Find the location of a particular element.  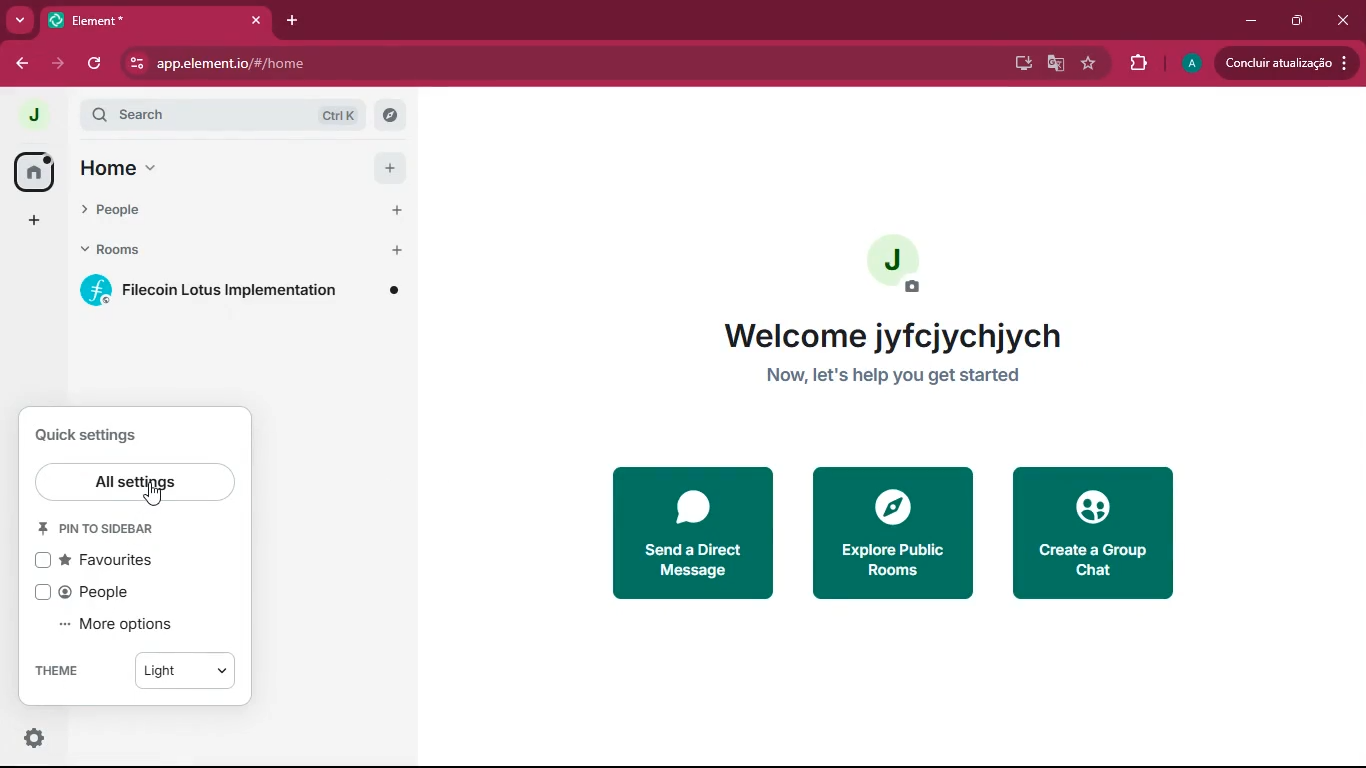

desktop is located at coordinates (1019, 63).